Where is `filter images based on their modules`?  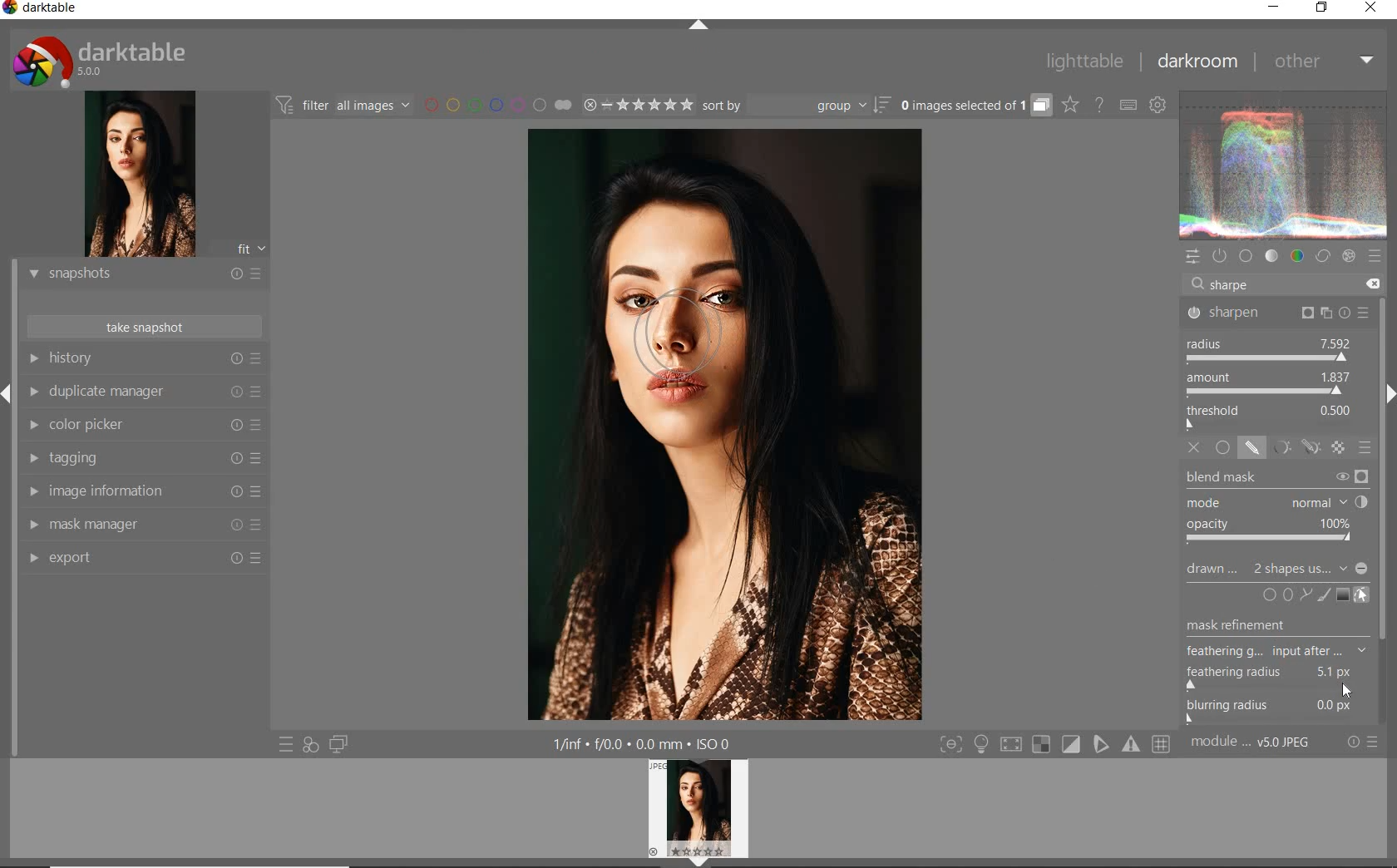
filter images based on their modules is located at coordinates (344, 104).